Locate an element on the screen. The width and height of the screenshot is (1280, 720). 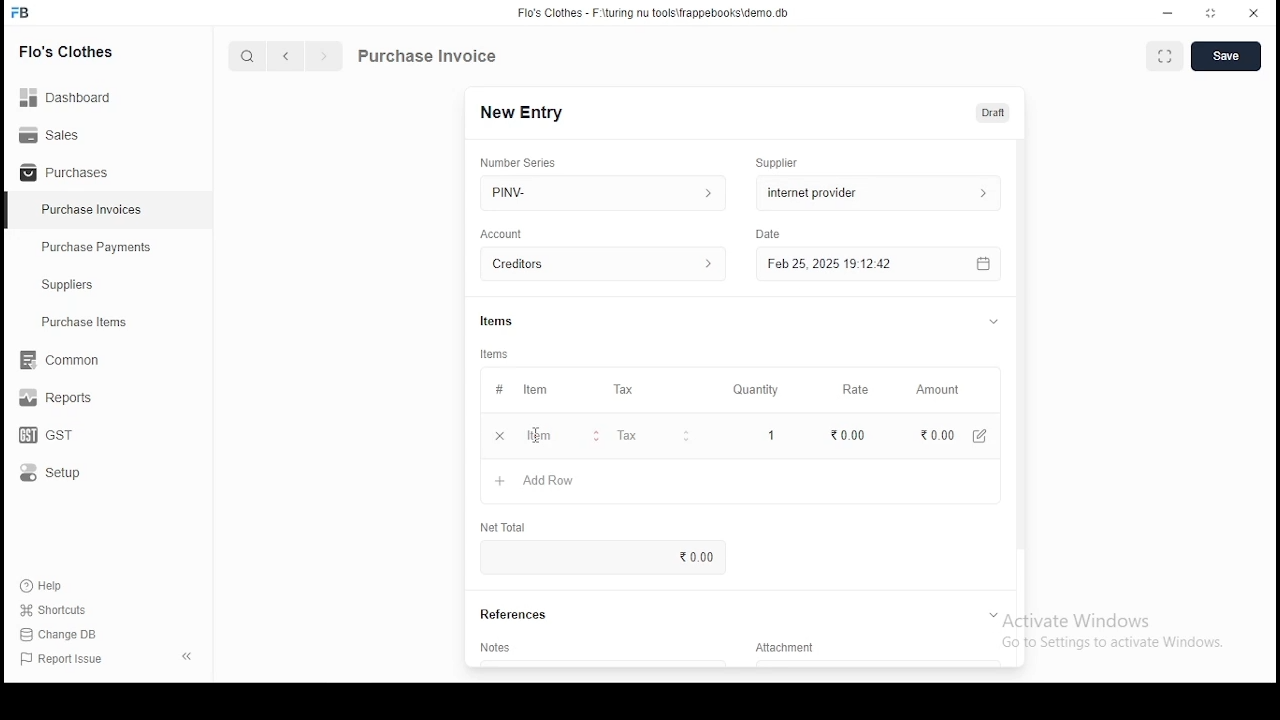
create new item is located at coordinates (981, 437).